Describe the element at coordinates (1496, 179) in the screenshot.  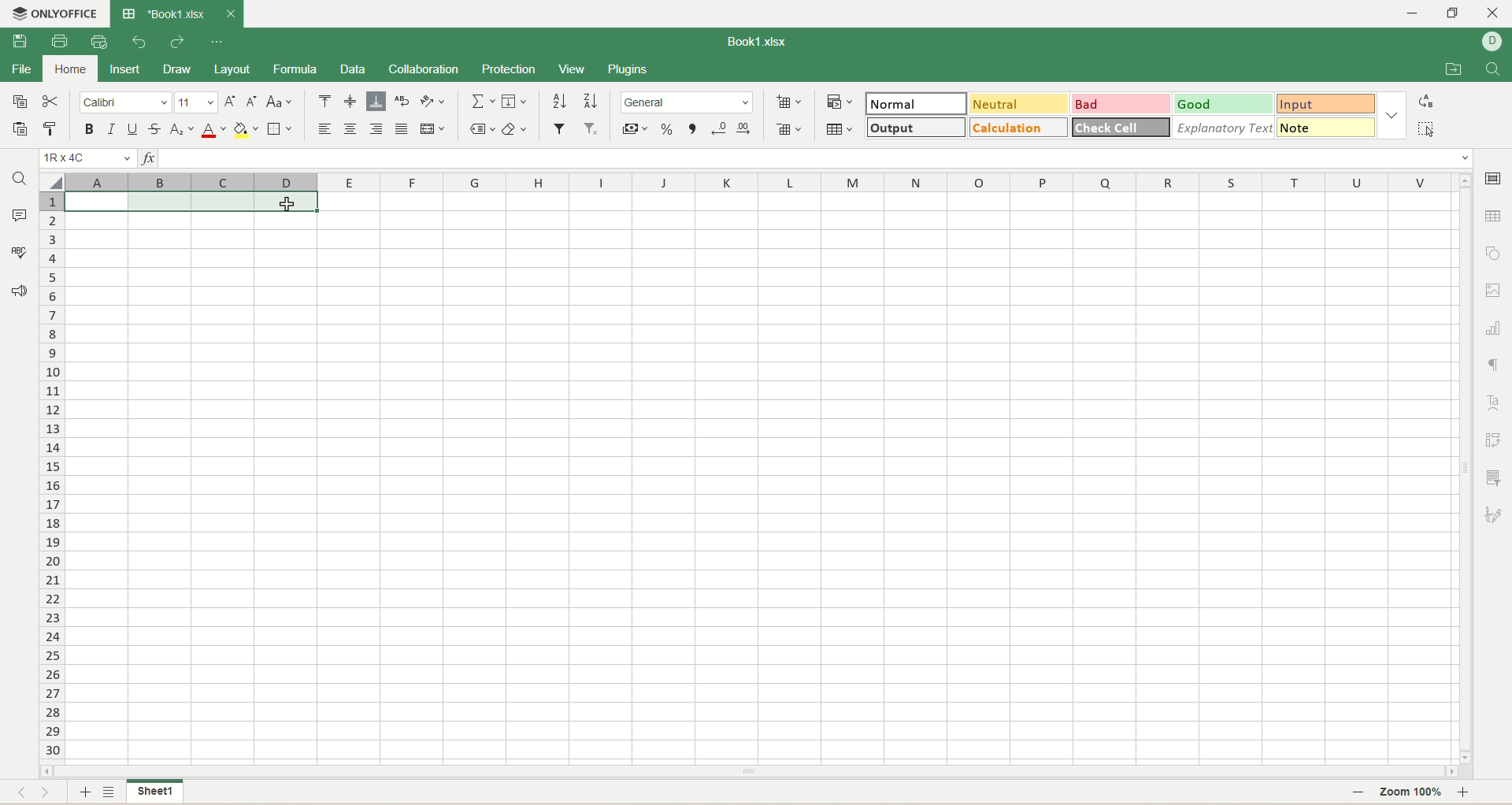
I see `cell settings` at that location.